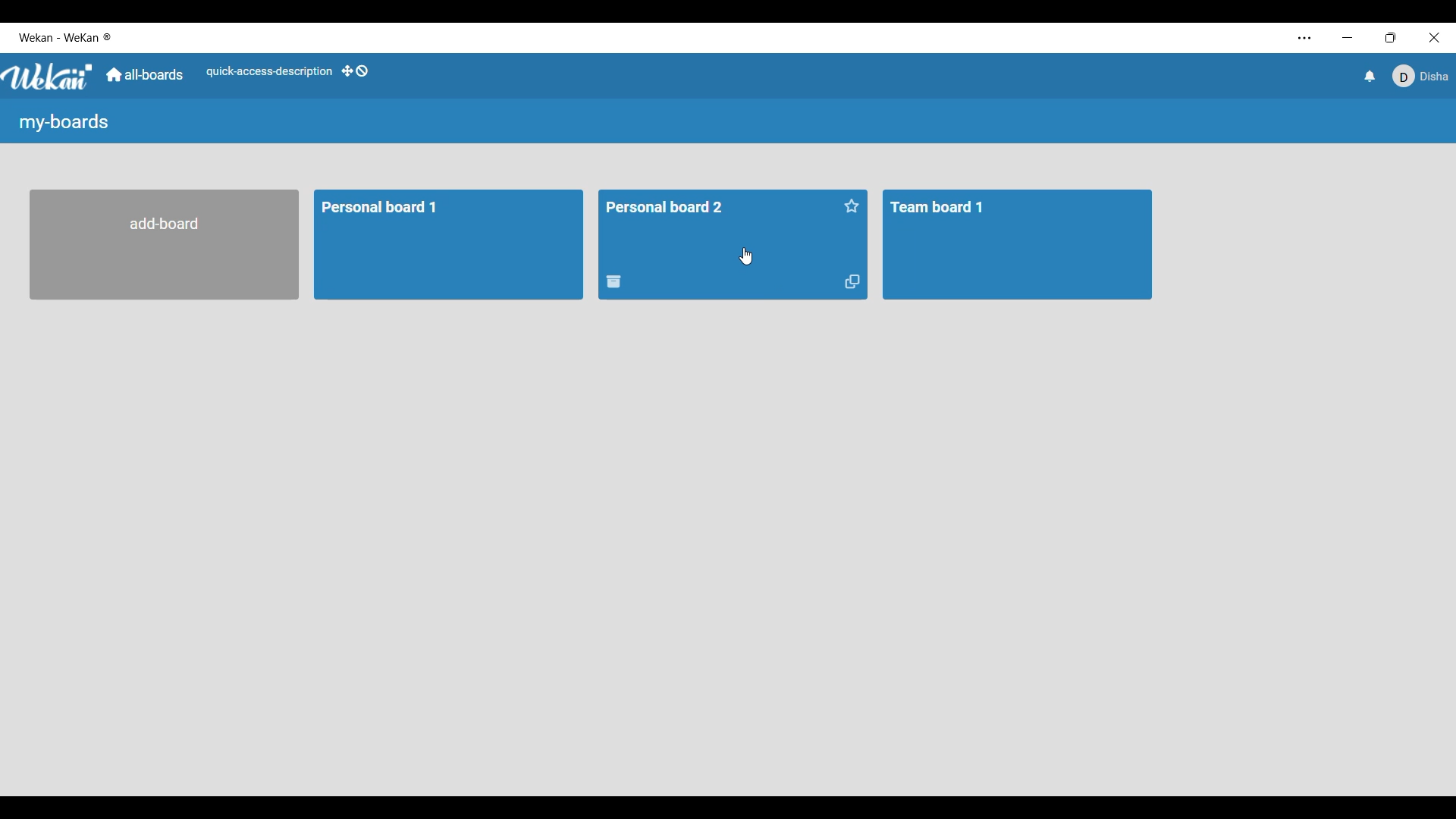 This screenshot has width=1456, height=819. Describe the element at coordinates (717, 216) in the screenshot. I see `Personal board 2` at that location.